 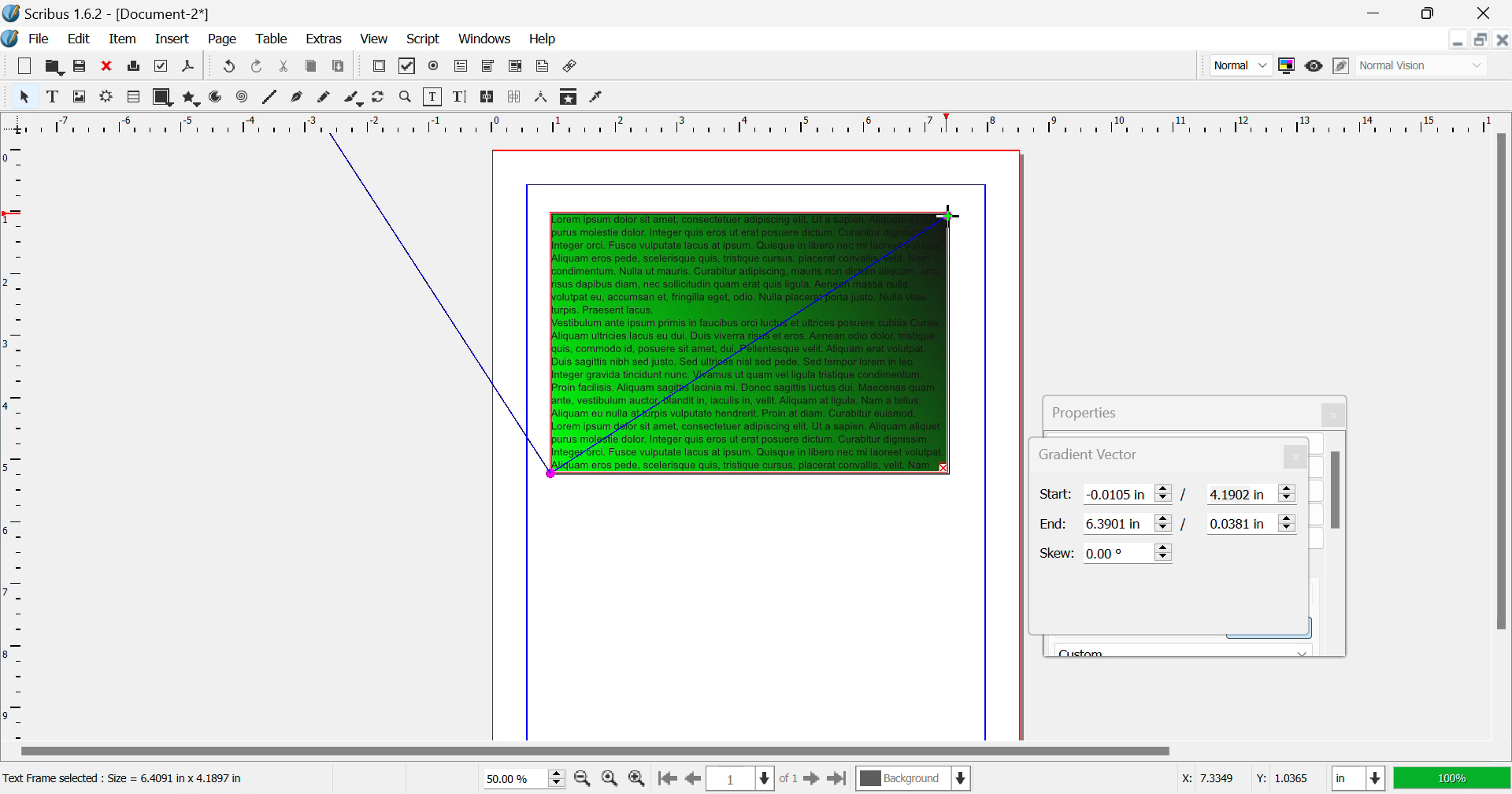 I want to click on Extras, so click(x=322, y=39).